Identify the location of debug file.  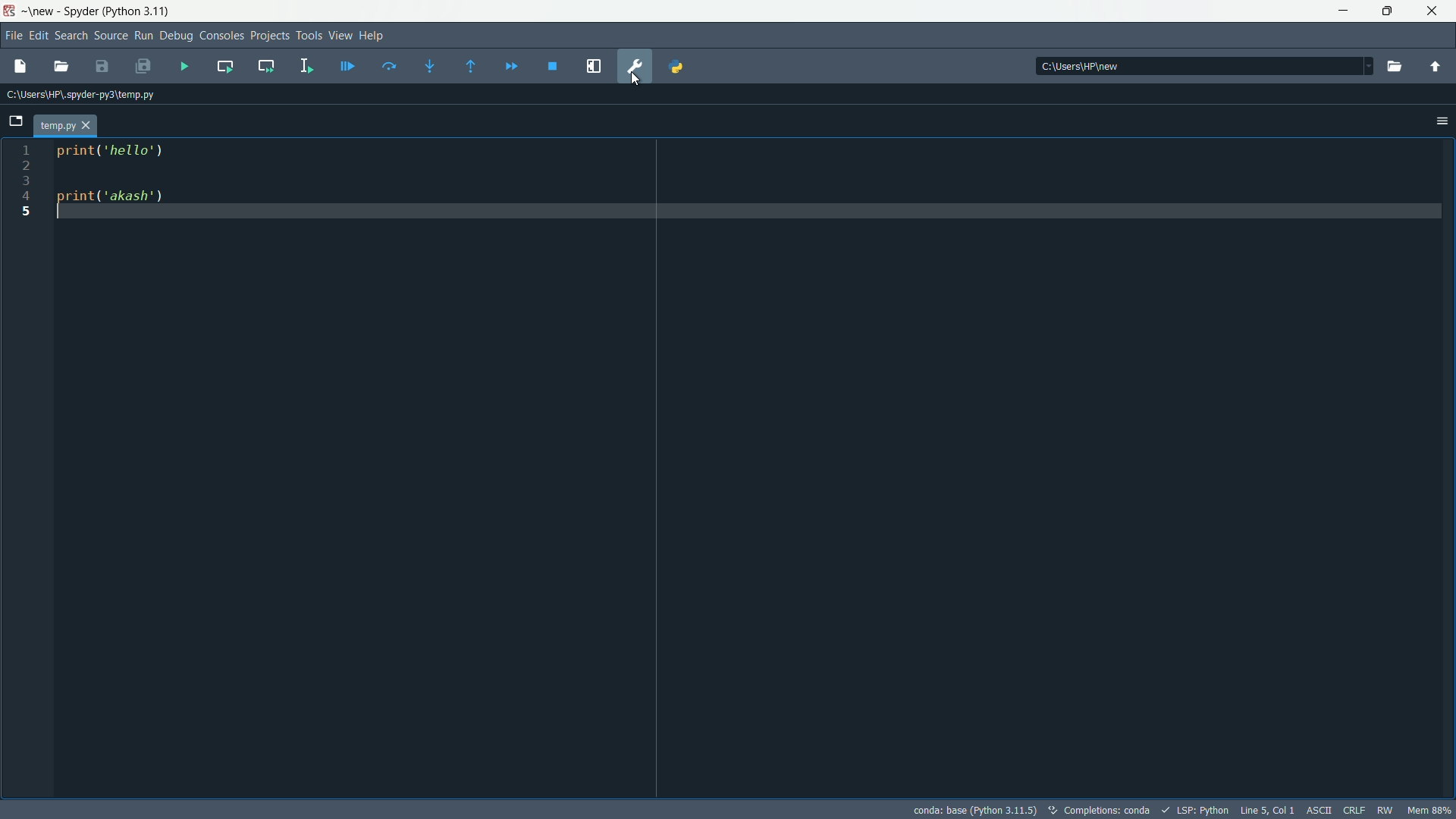
(347, 65).